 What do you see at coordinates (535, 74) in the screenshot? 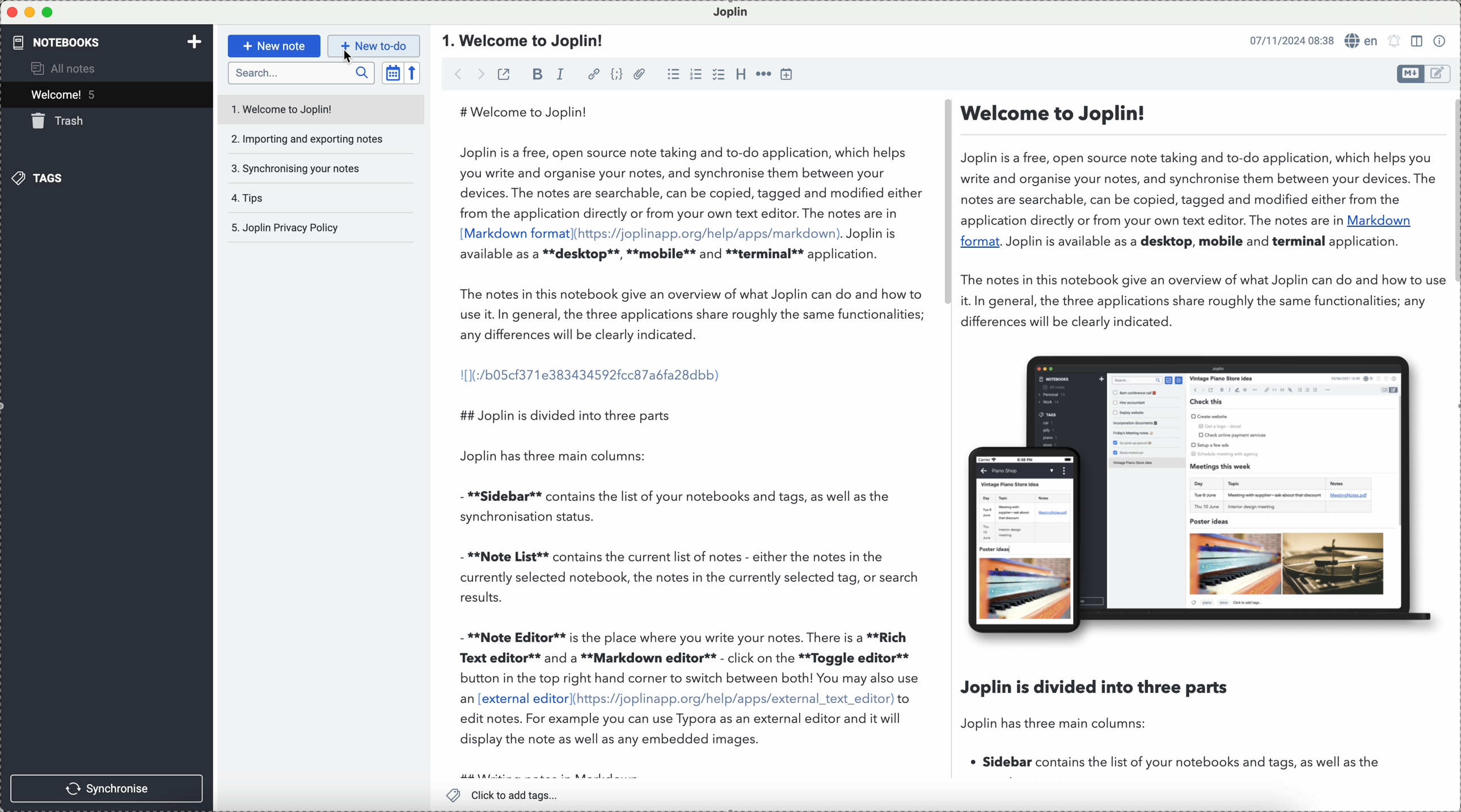
I see `bold` at bounding box center [535, 74].